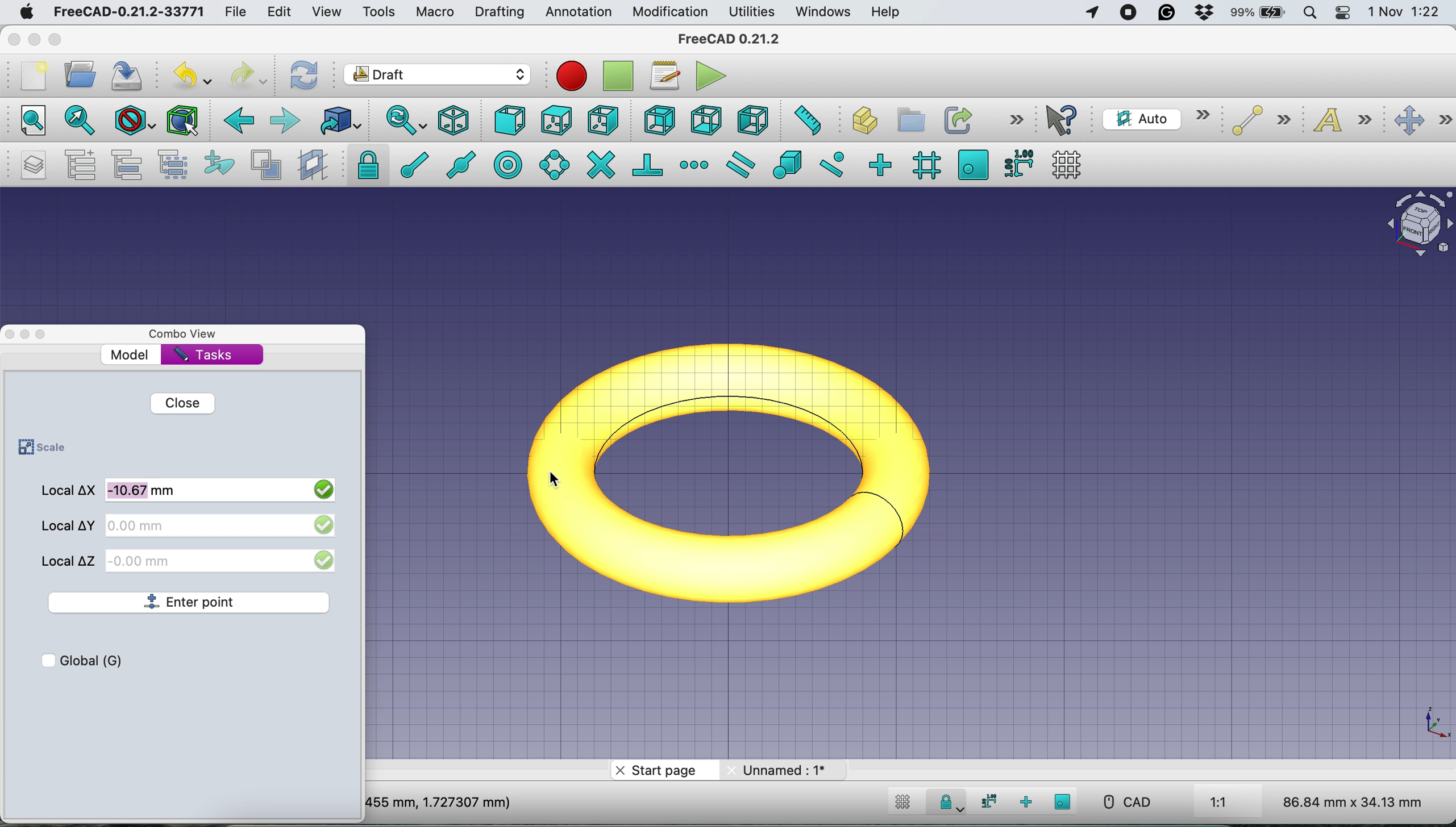  What do you see at coordinates (192, 603) in the screenshot?
I see `enter point` at bounding box center [192, 603].